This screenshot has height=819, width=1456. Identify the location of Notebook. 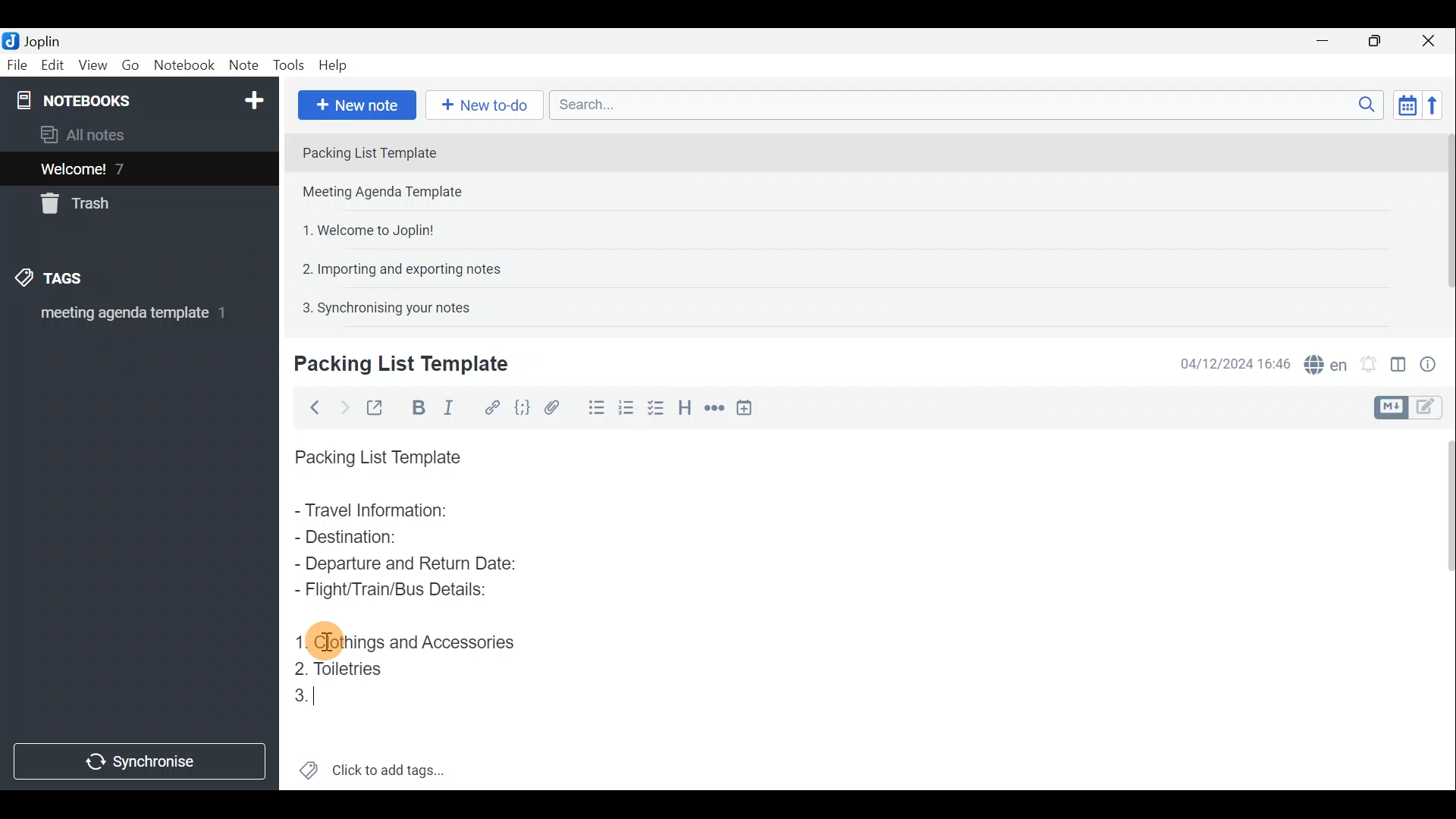
(184, 67).